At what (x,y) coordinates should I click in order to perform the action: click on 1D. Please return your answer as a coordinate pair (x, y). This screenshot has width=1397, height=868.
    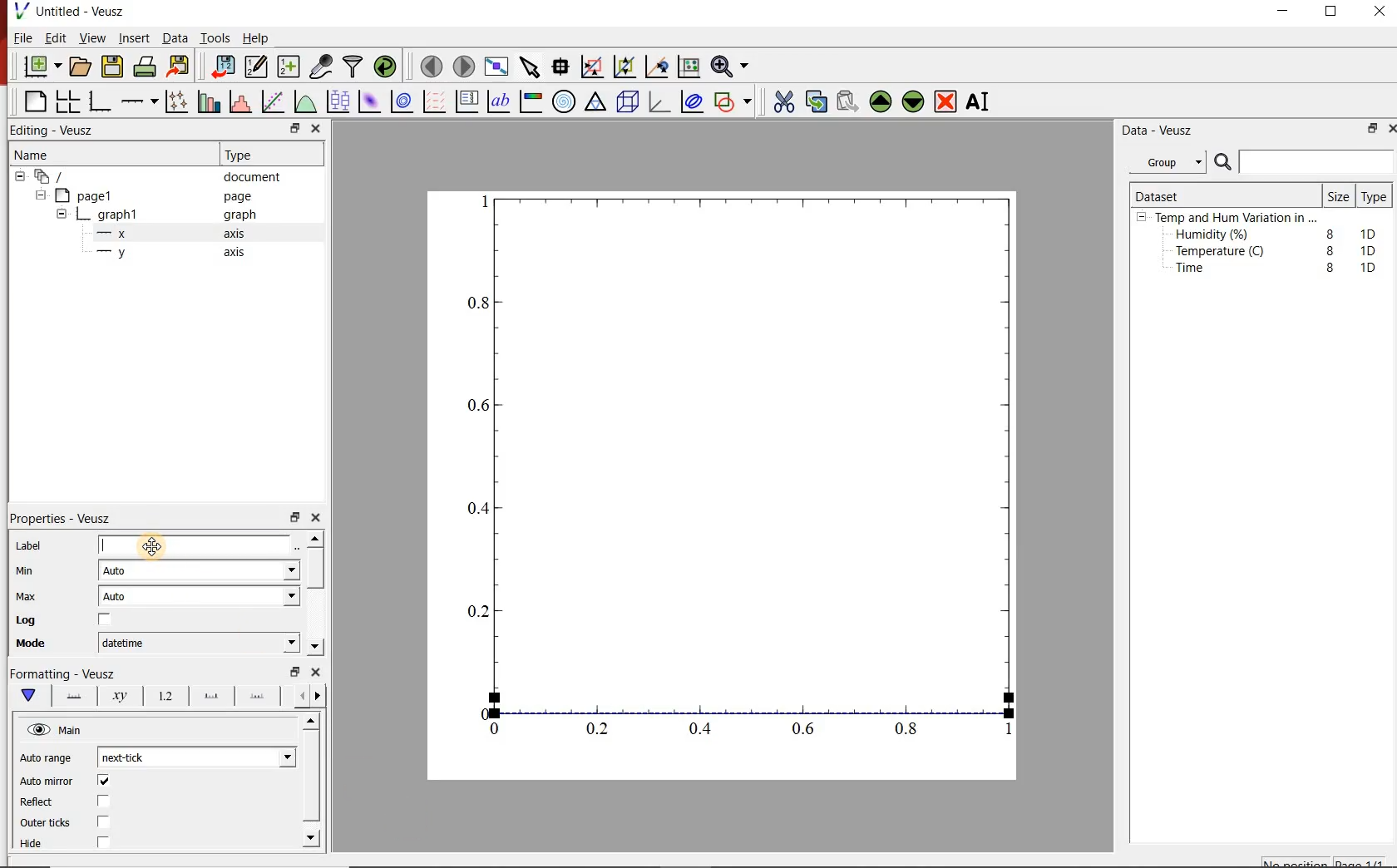
    Looking at the image, I should click on (1373, 250).